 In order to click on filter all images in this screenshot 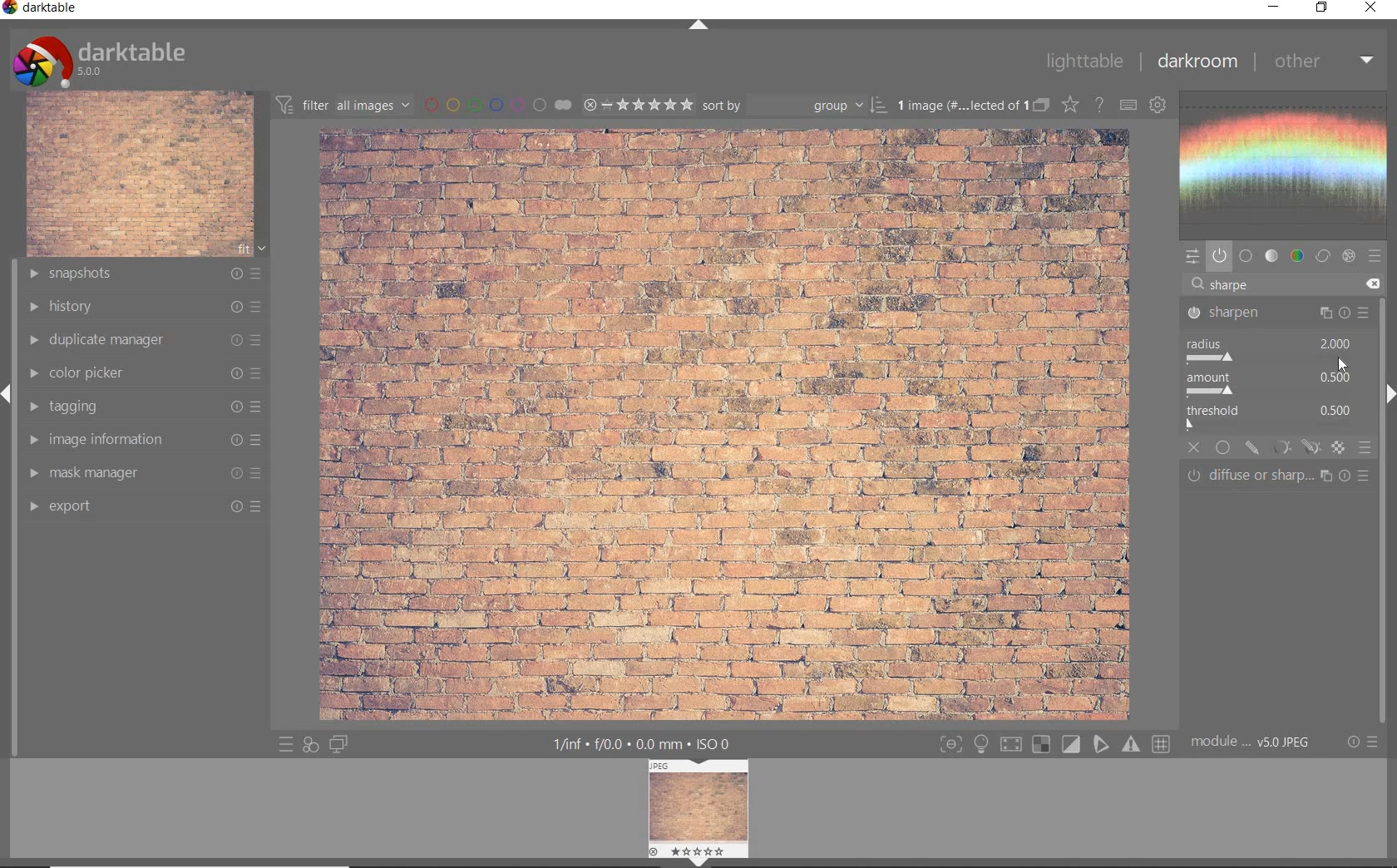, I will do `click(343, 103)`.